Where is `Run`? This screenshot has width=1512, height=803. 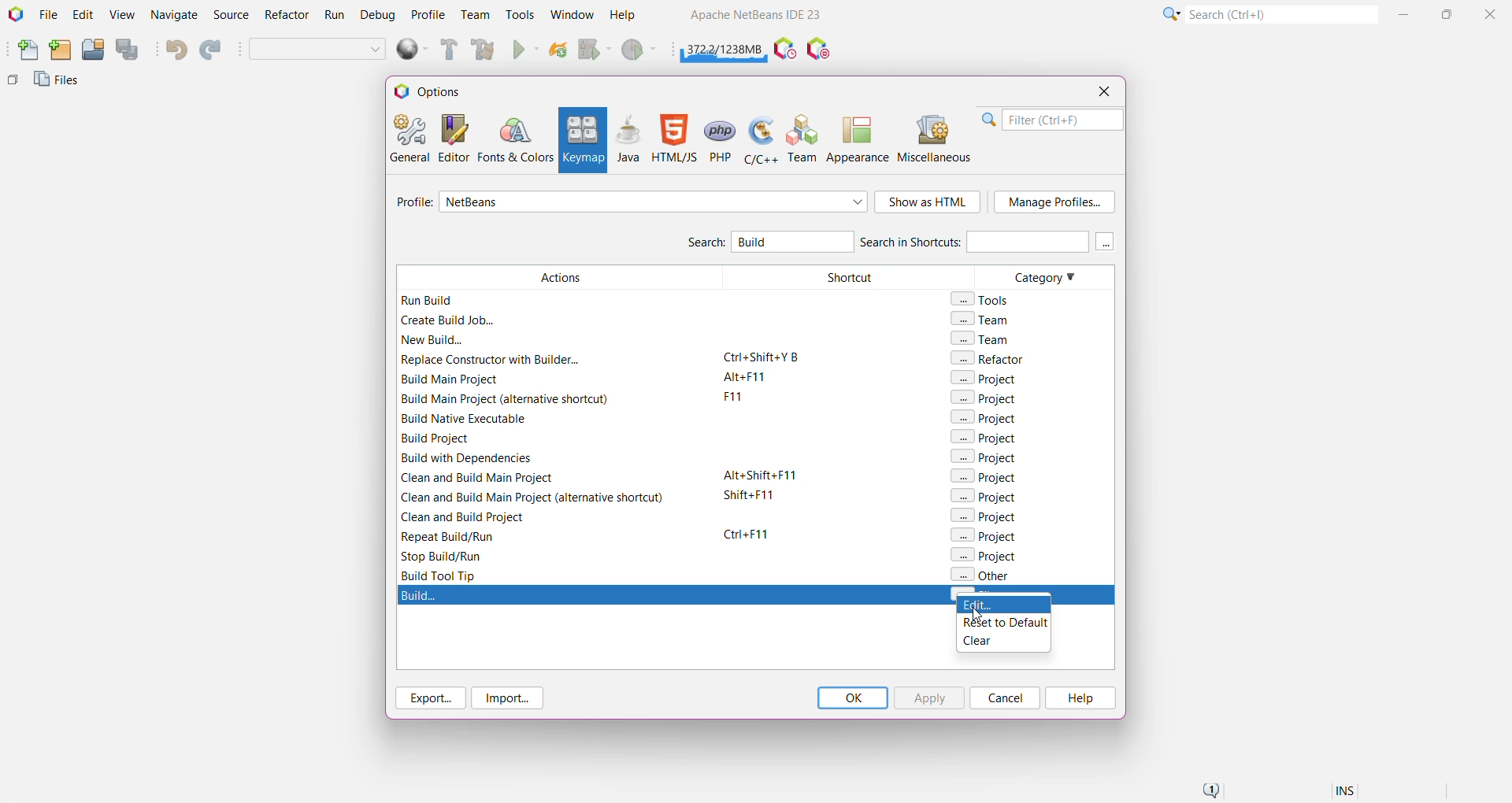 Run is located at coordinates (335, 17).